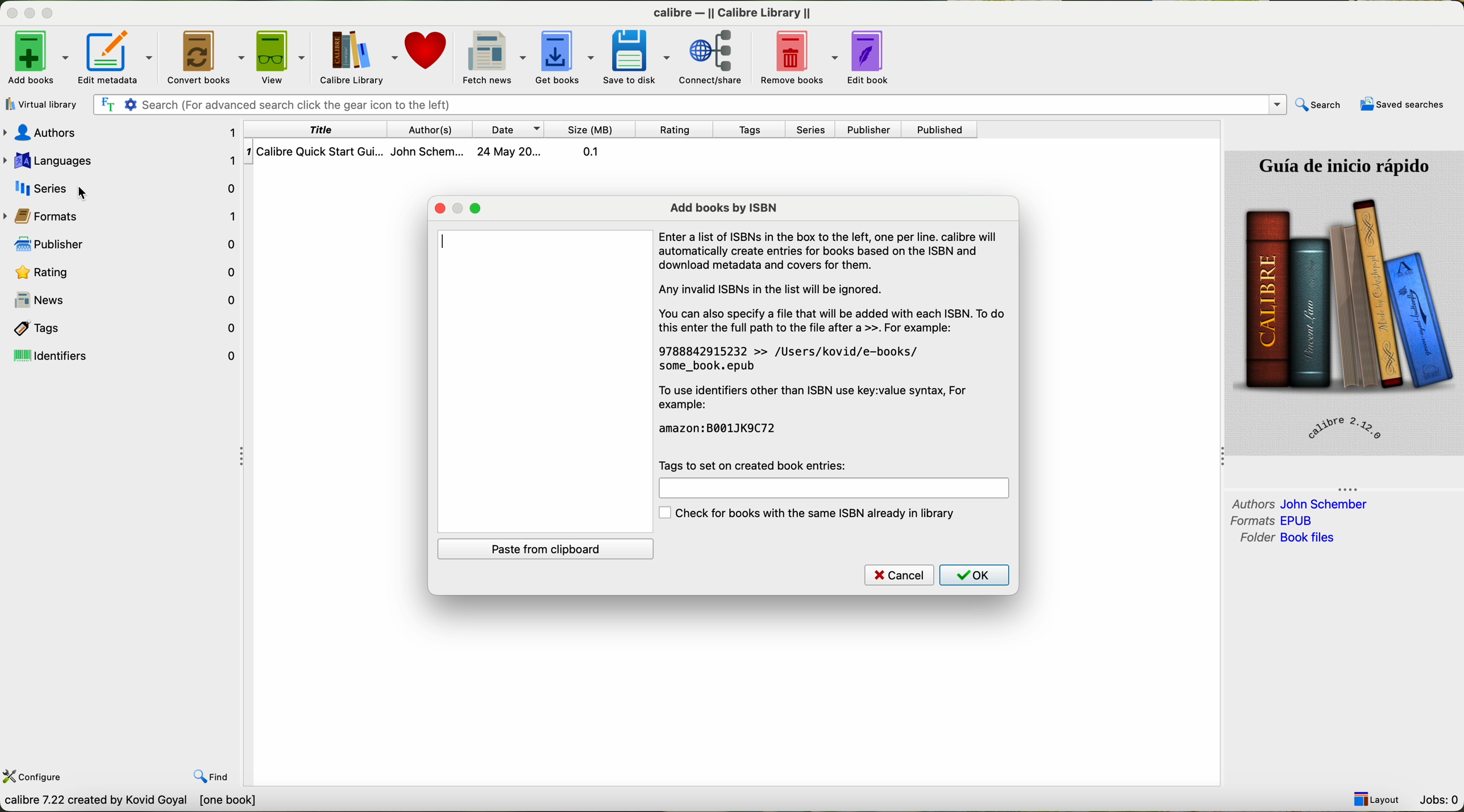  Describe the element at coordinates (873, 57) in the screenshot. I see `edit book` at that location.